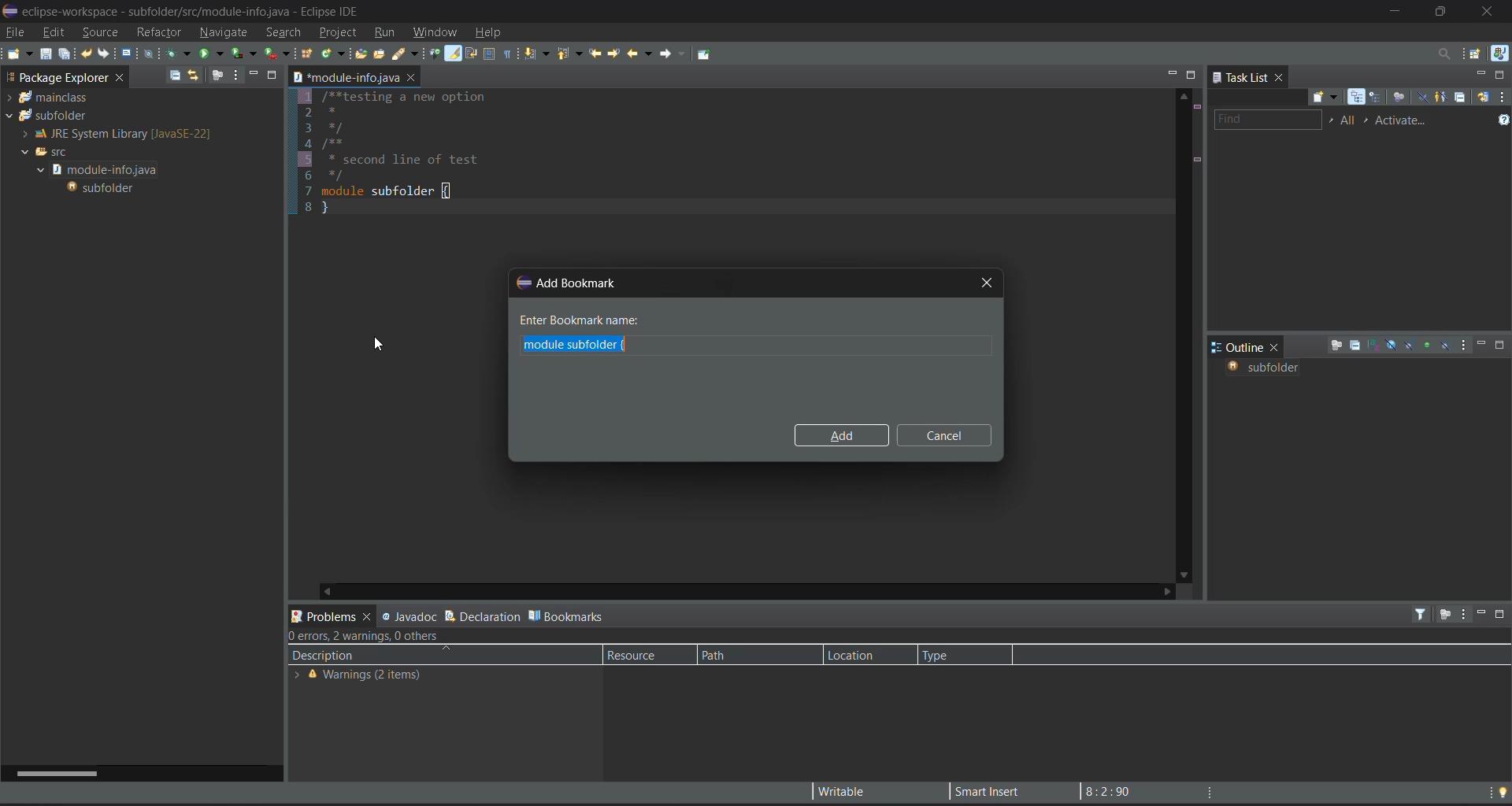 This screenshot has width=1512, height=806. Describe the element at coordinates (1282, 79) in the screenshot. I see `close` at that location.